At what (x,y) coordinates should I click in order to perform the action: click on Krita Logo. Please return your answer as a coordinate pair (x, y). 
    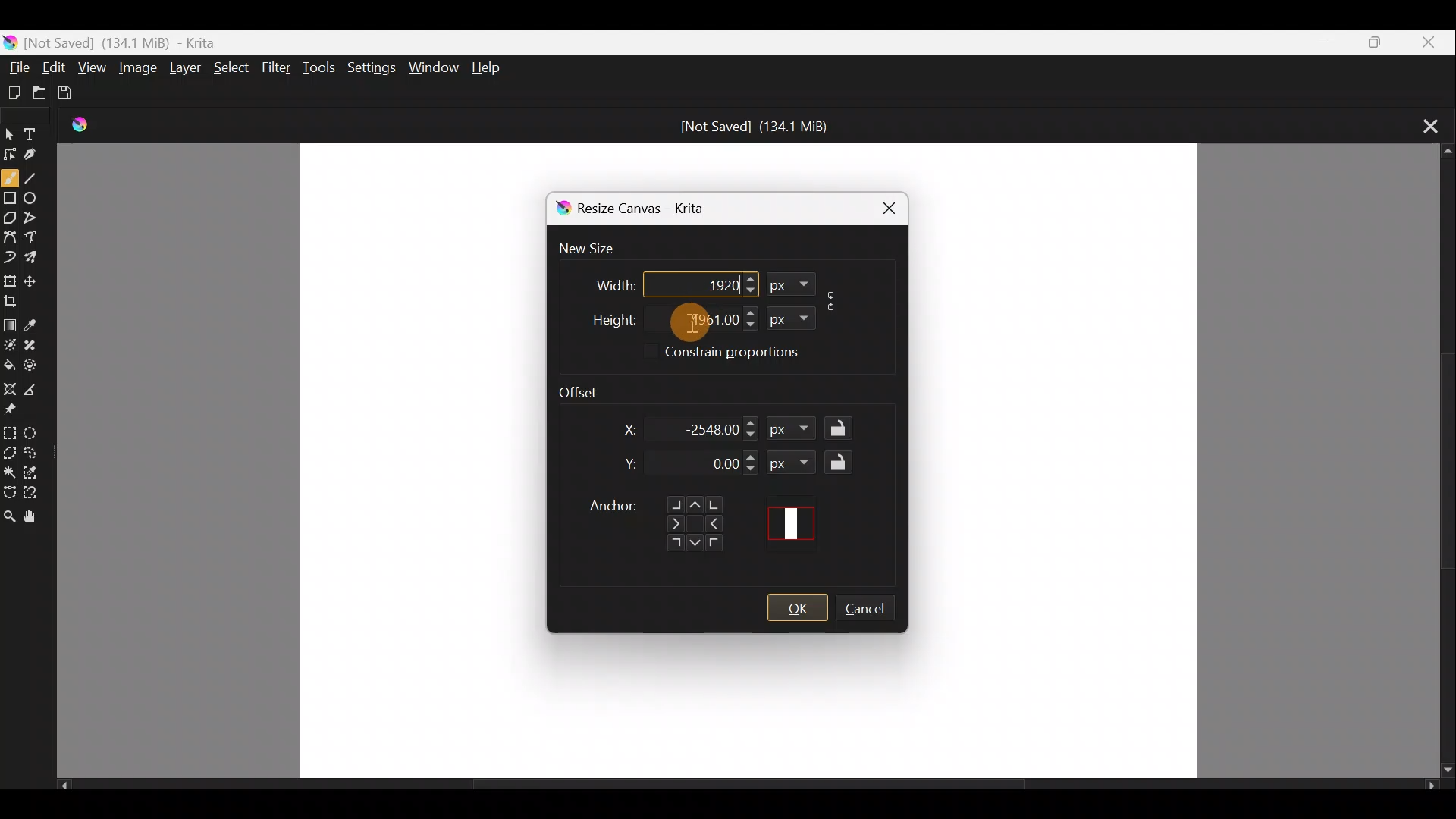
    Looking at the image, I should click on (11, 39).